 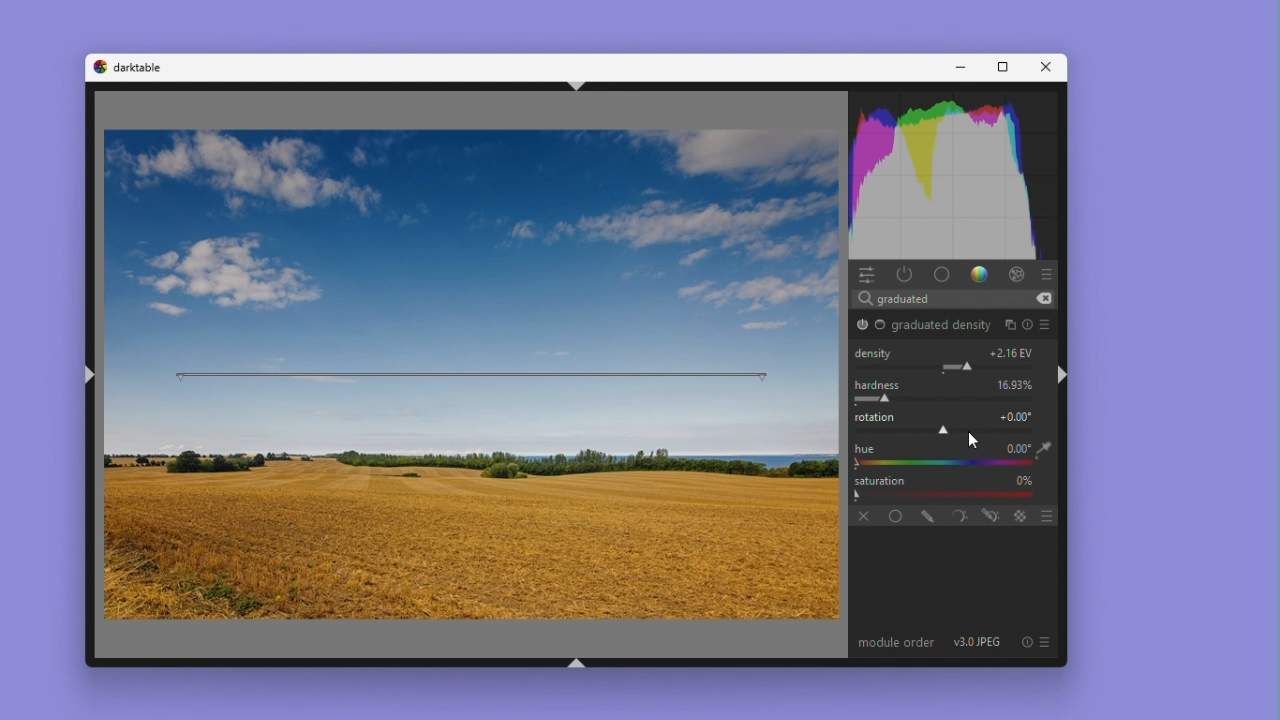 What do you see at coordinates (941, 327) in the screenshot?
I see `graduated density` at bounding box center [941, 327].